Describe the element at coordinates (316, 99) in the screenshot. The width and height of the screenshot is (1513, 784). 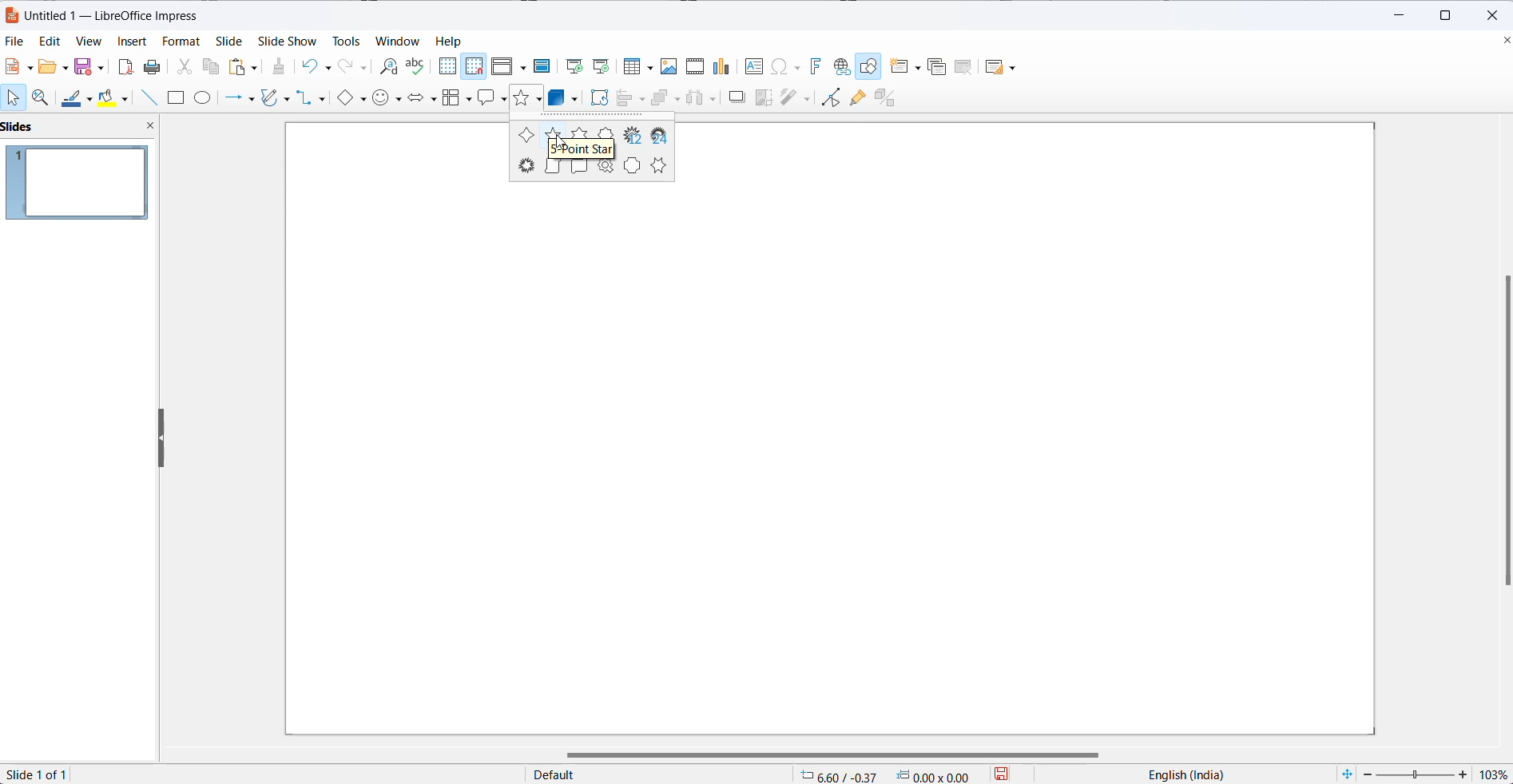
I see `connectors` at that location.